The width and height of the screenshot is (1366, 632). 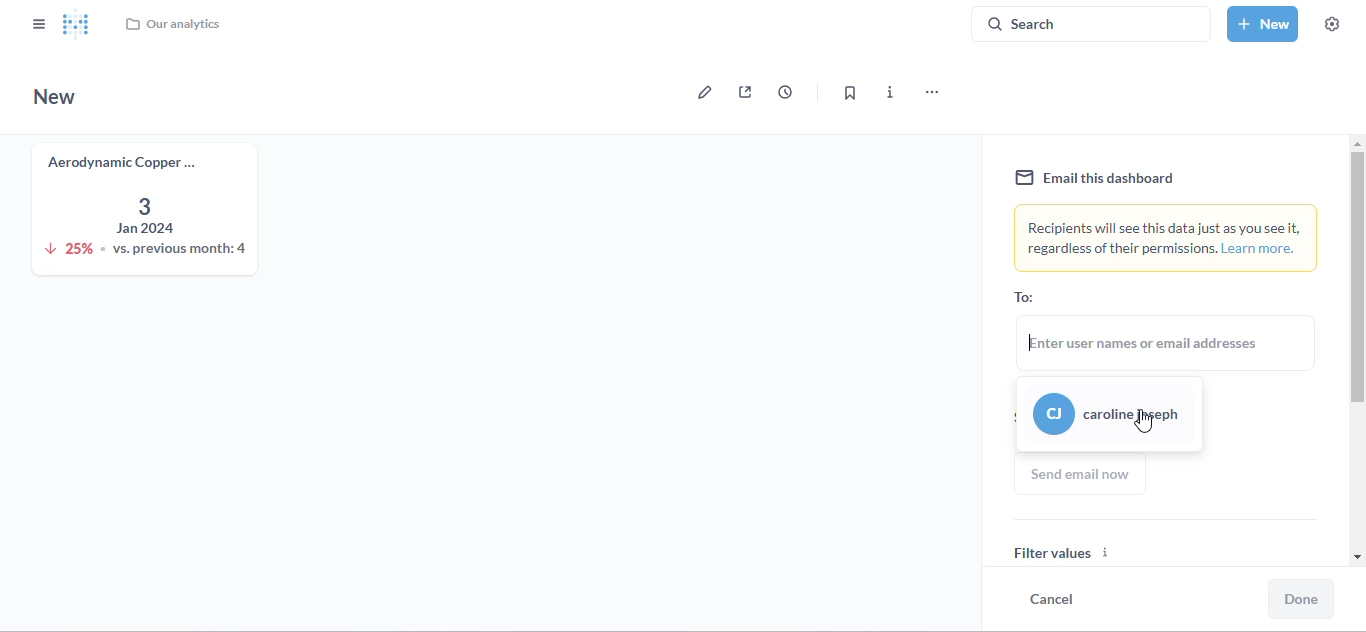 What do you see at coordinates (1095, 178) in the screenshot?
I see `email this dashboard` at bounding box center [1095, 178].